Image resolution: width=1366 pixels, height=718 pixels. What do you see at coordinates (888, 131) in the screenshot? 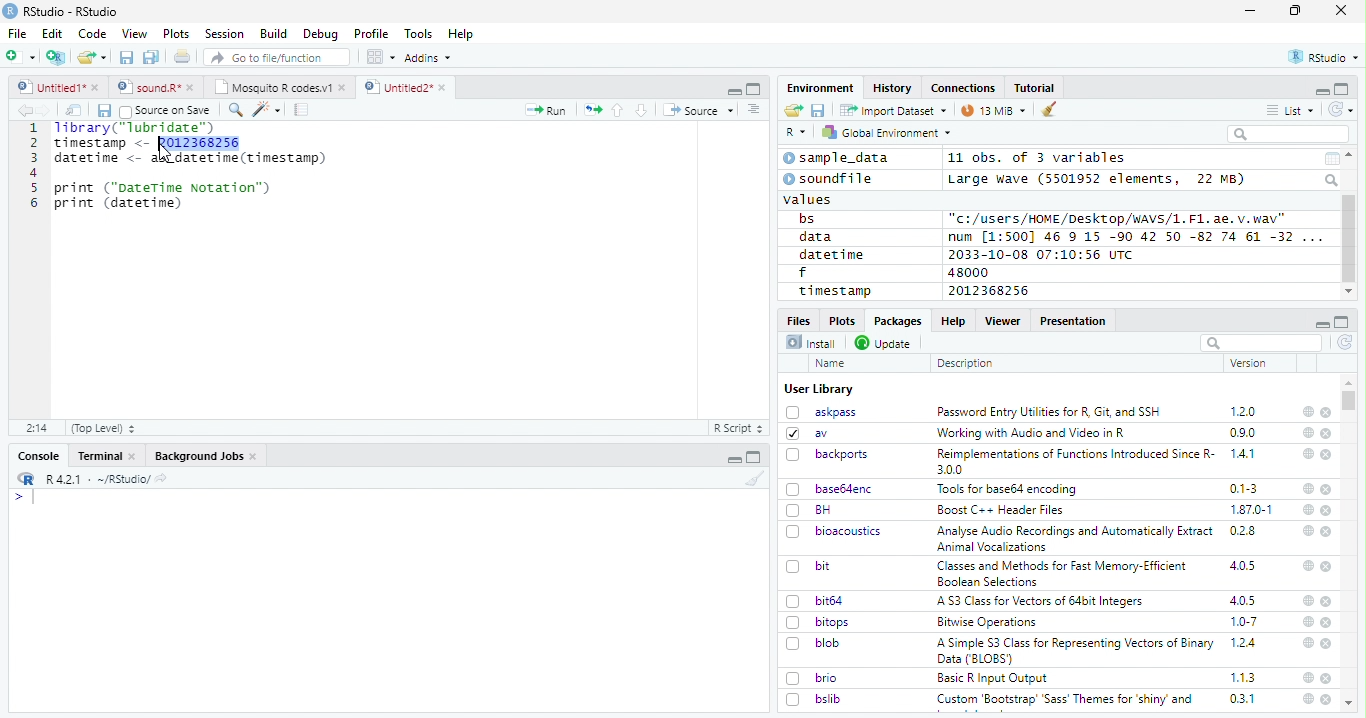
I see `Global Environment` at bounding box center [888, 131].